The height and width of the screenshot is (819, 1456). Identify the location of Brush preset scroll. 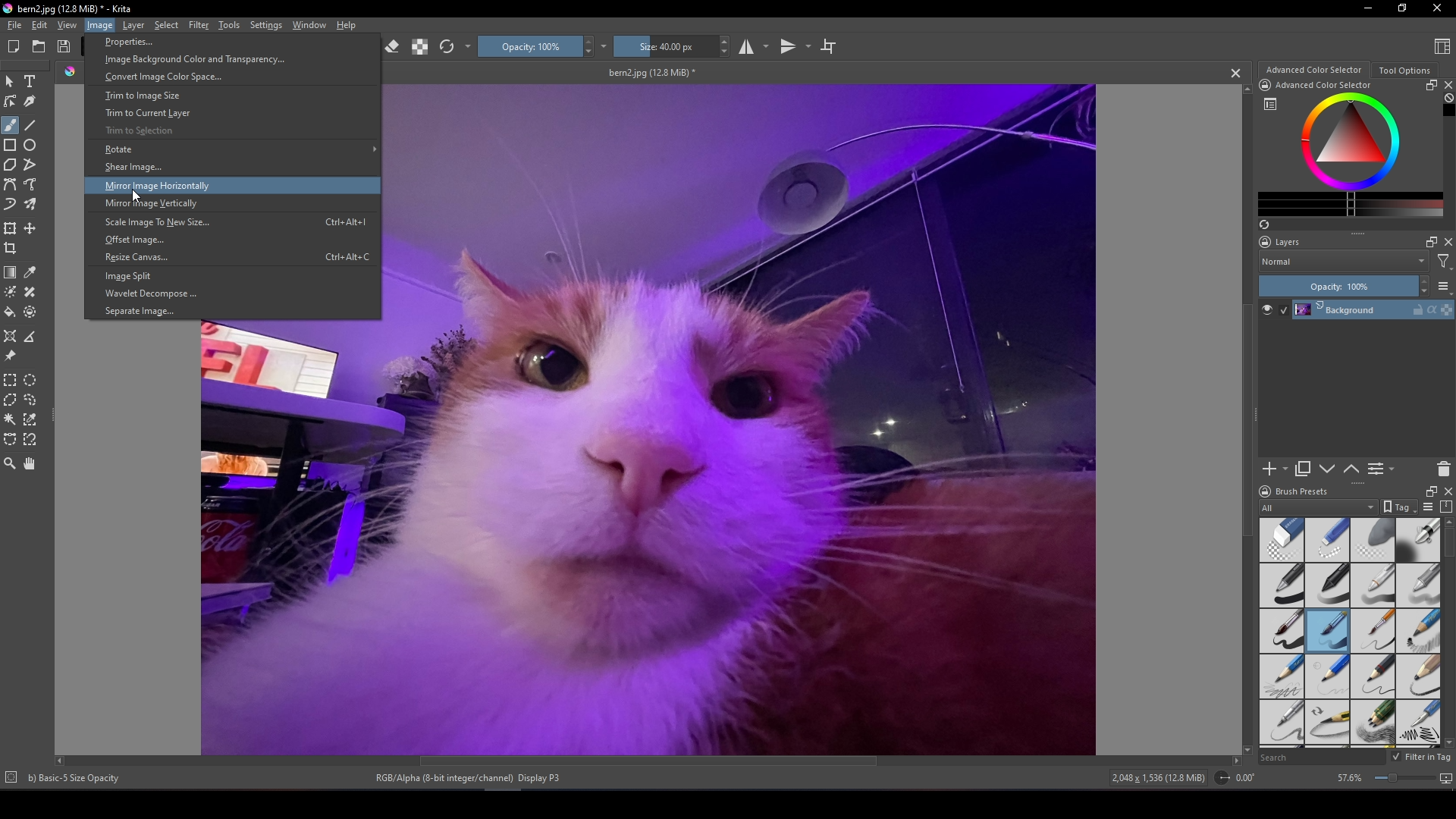
(1449, 633).